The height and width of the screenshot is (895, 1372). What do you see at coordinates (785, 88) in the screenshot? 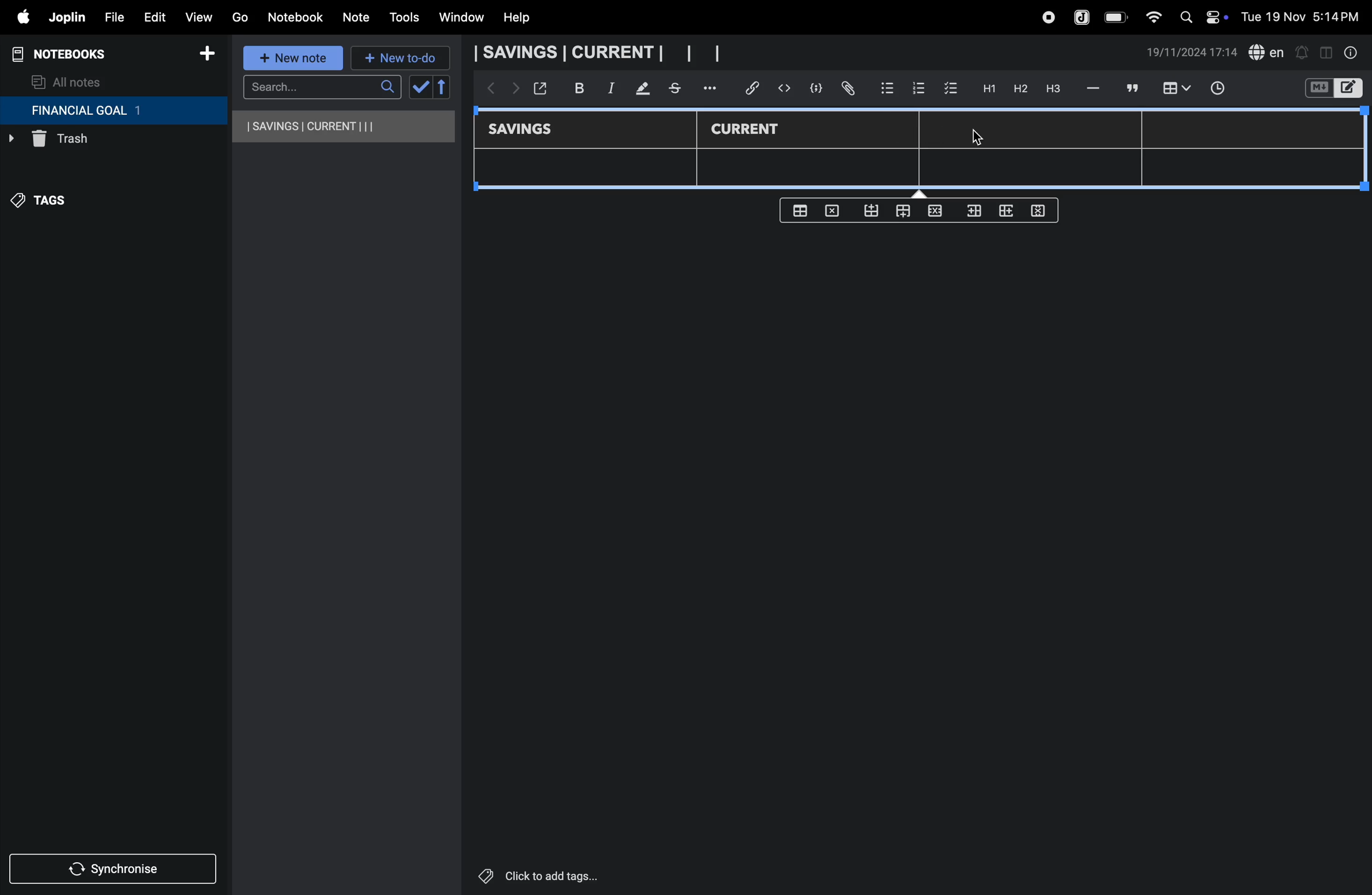
I see `insert code` at bounding box center [785, 88].